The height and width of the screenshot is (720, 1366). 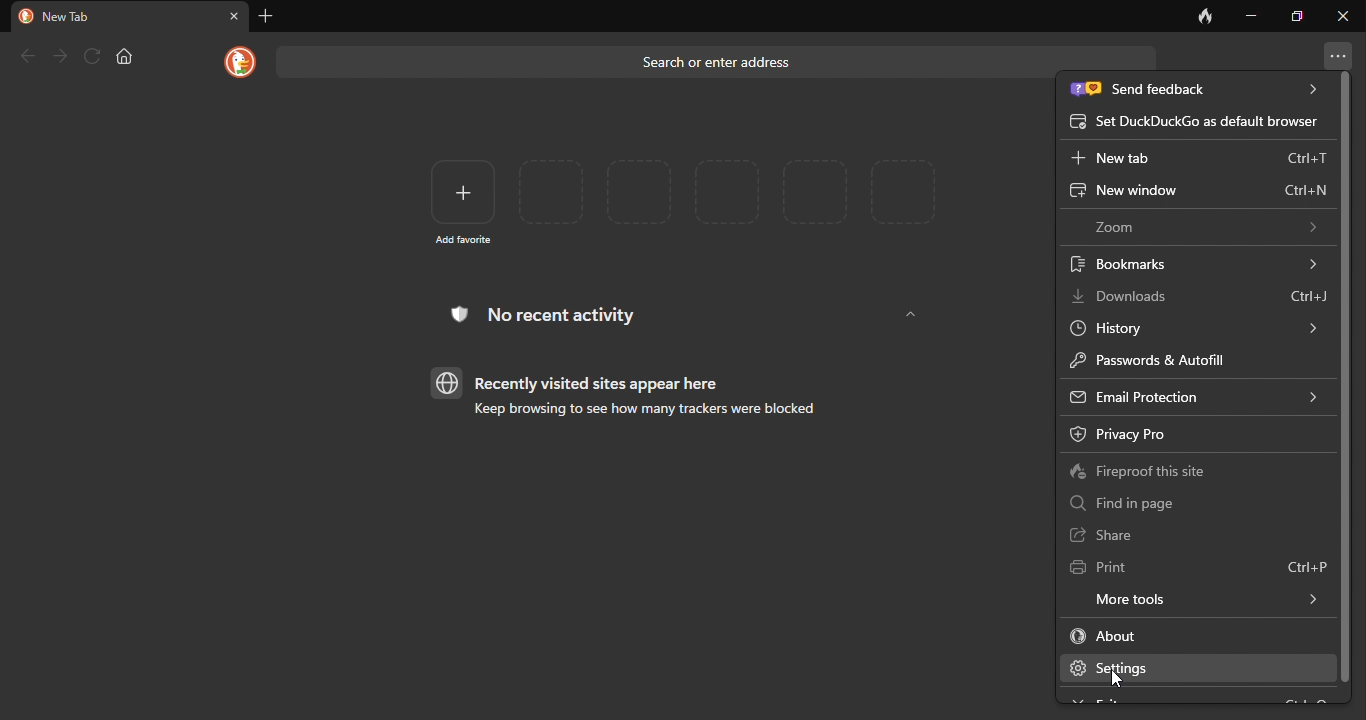 I want to click on downloads, so click(x=1200, y=296).